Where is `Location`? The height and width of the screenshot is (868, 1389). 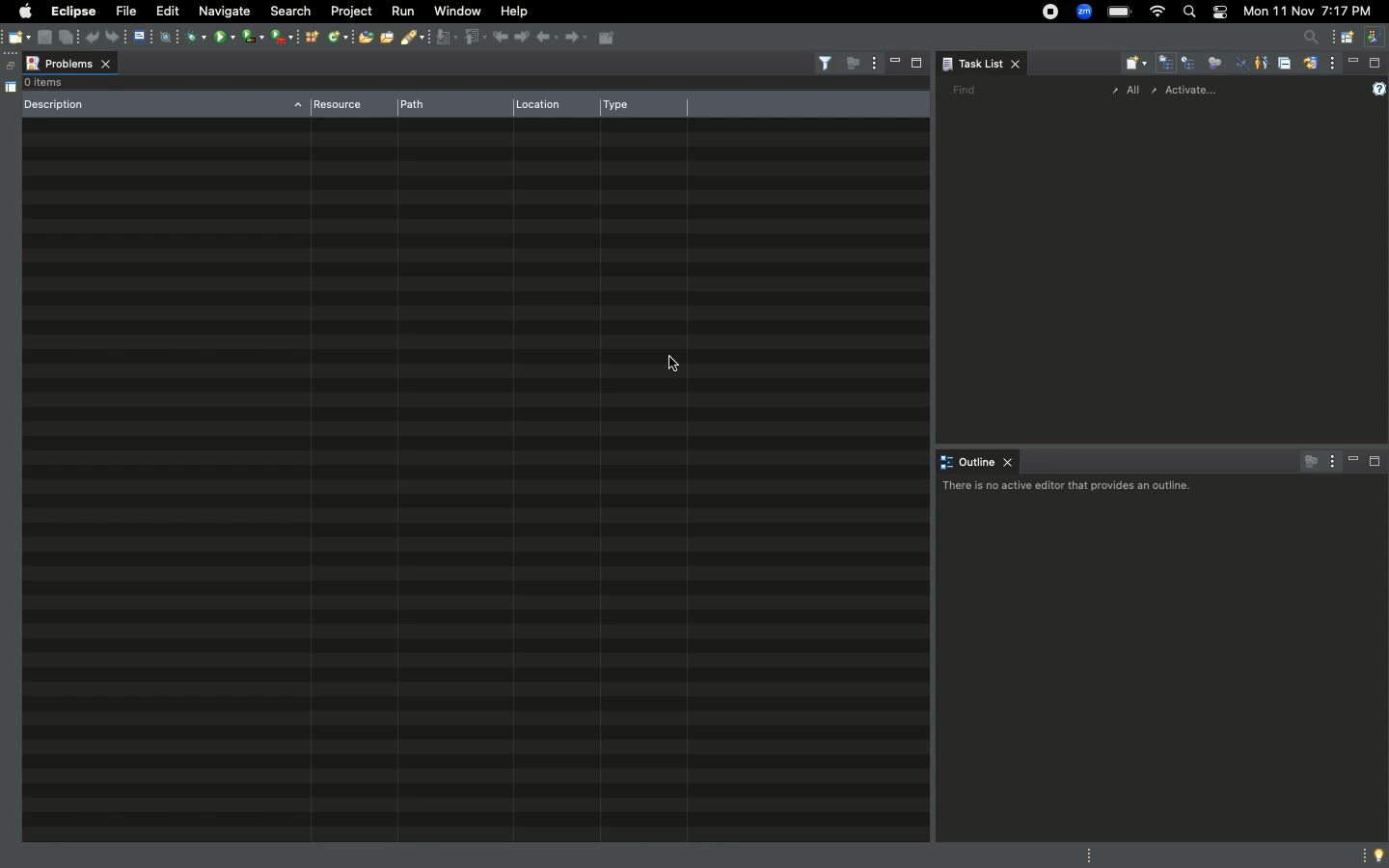
Location is located at coordinates (544, 105).